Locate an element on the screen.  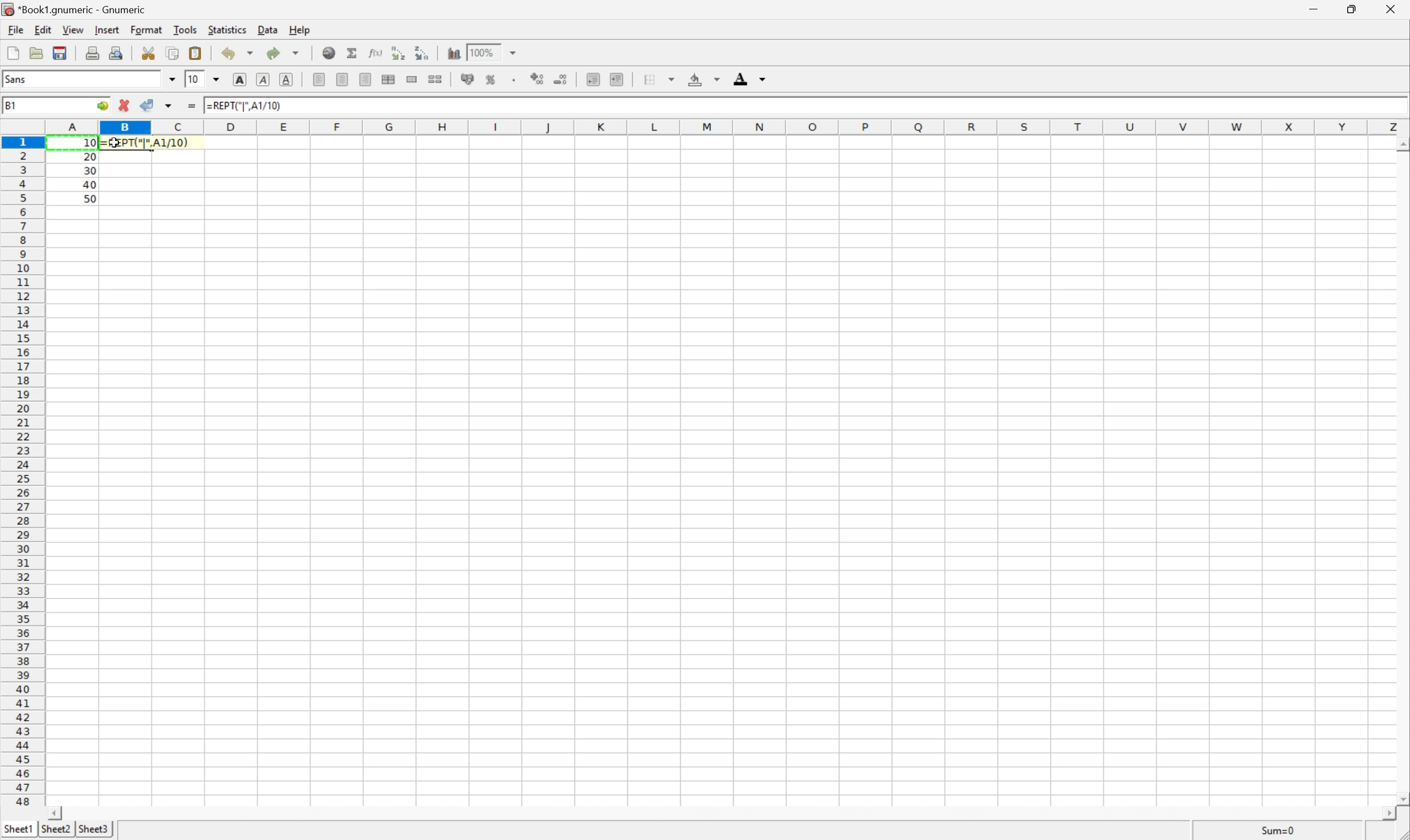
Center horizontally across selection is located at coordinates (389, 80).